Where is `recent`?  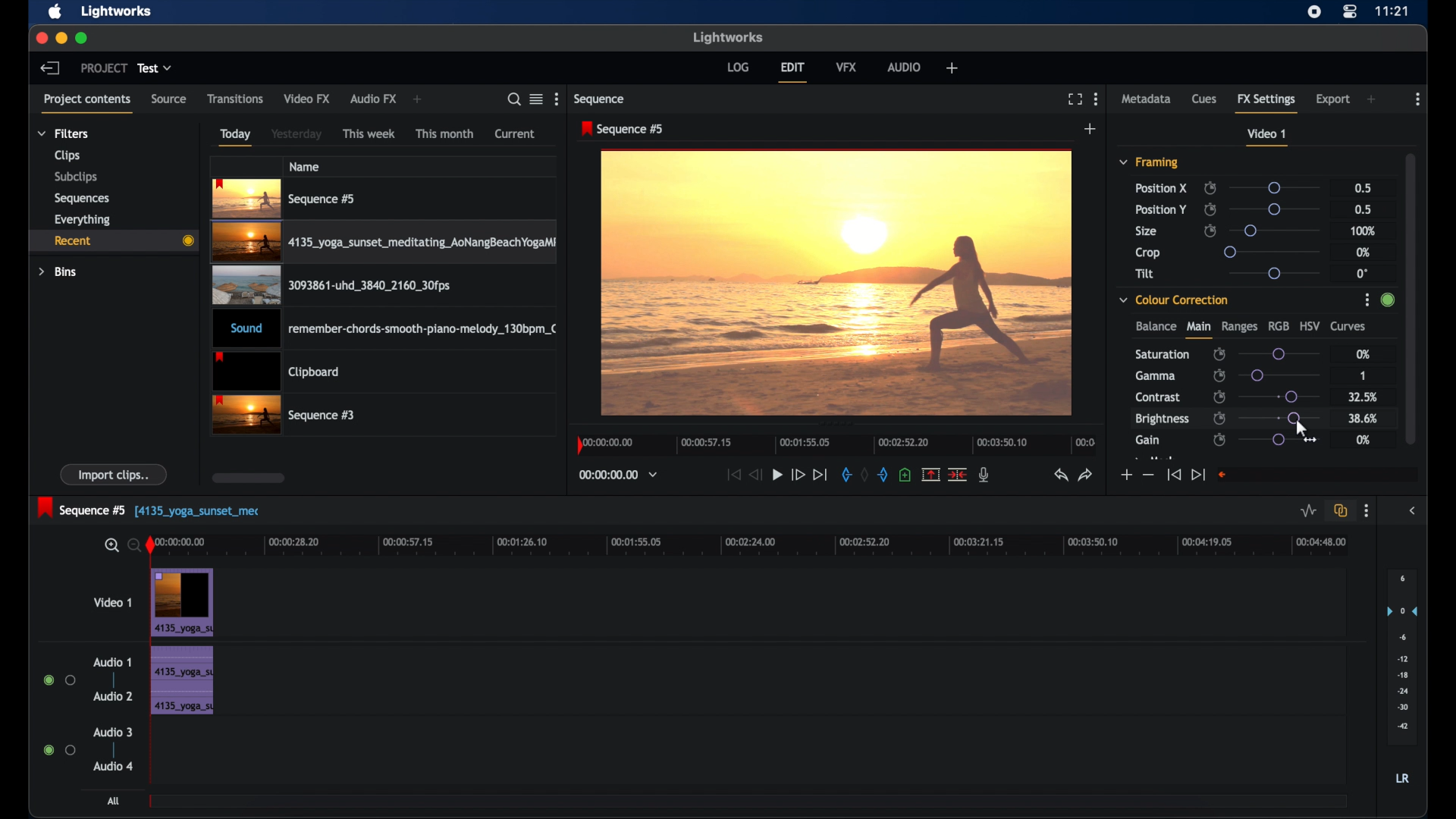 recent is located at coordinates (112, 241).